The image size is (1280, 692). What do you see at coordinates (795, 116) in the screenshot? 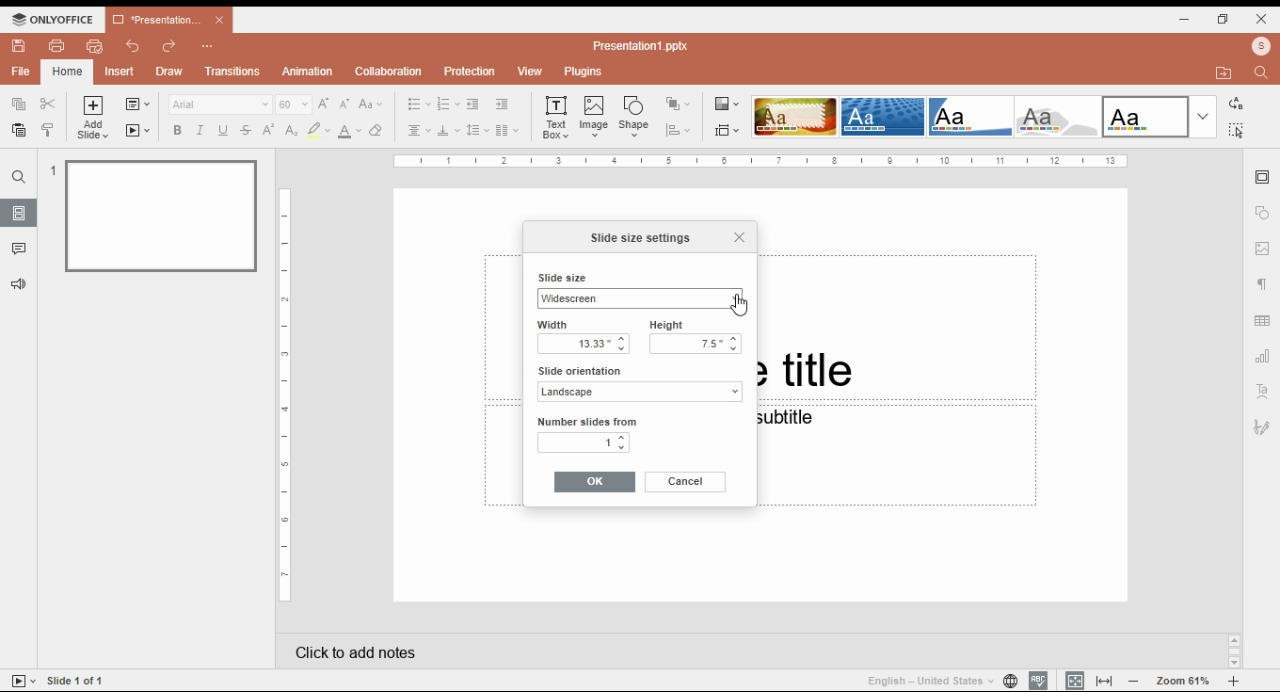
I see `slide them option` at bounding box center [795, 116].